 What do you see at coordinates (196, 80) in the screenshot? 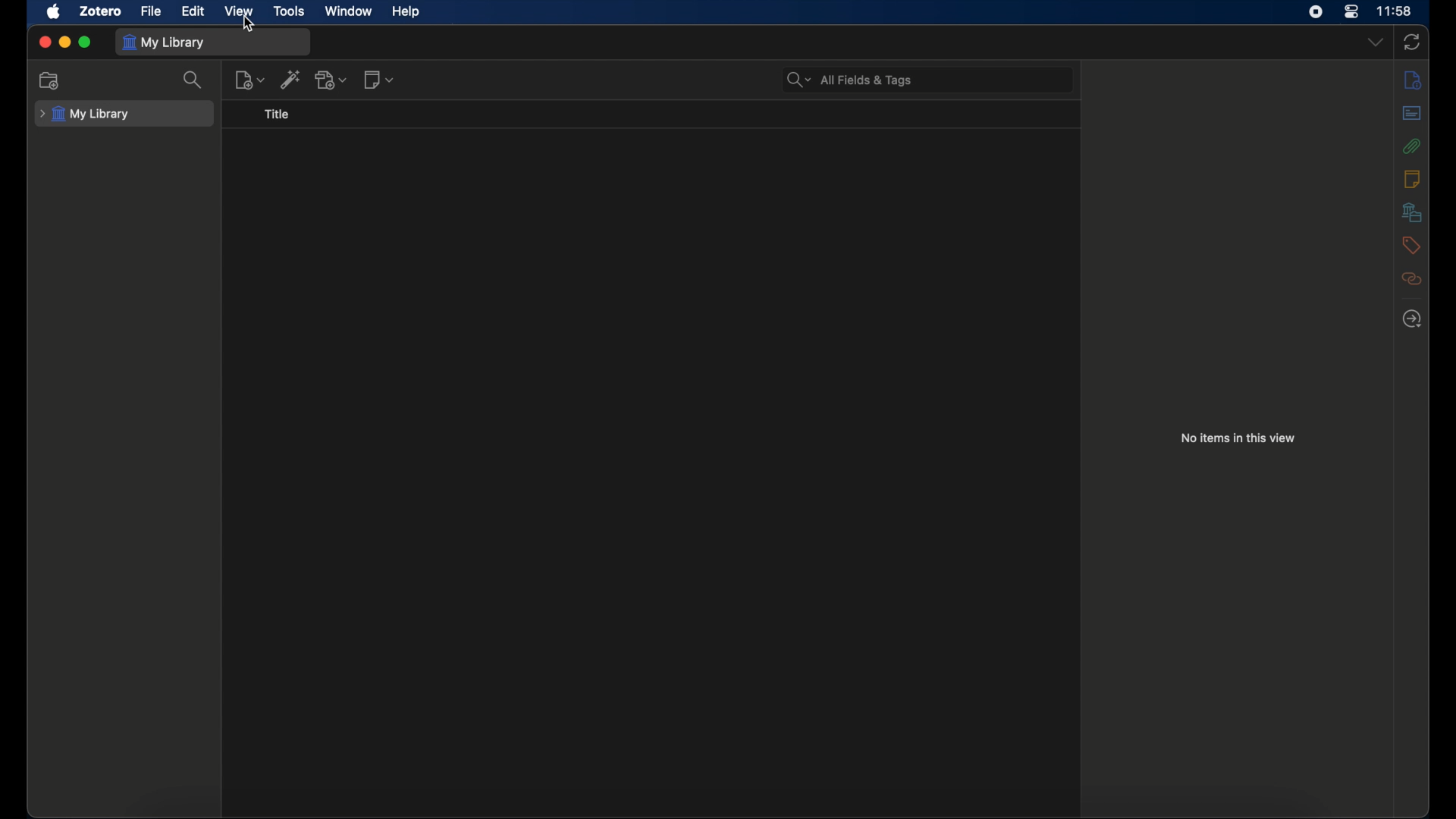
I see `search` at bounding box center [196, 80].